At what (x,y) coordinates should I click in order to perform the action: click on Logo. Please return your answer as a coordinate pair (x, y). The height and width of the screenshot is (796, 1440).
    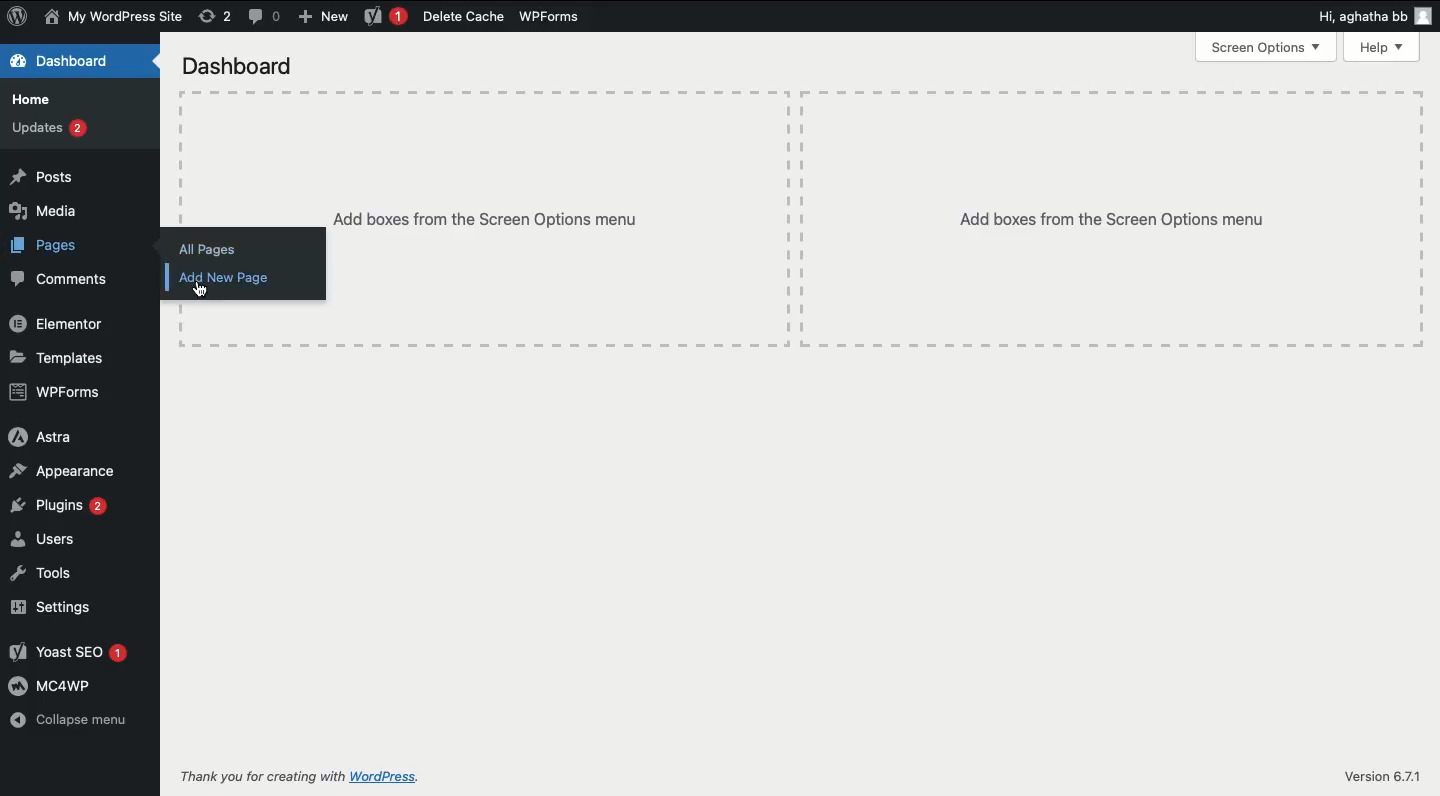
    Looking at the image, I should click on (19, 18).